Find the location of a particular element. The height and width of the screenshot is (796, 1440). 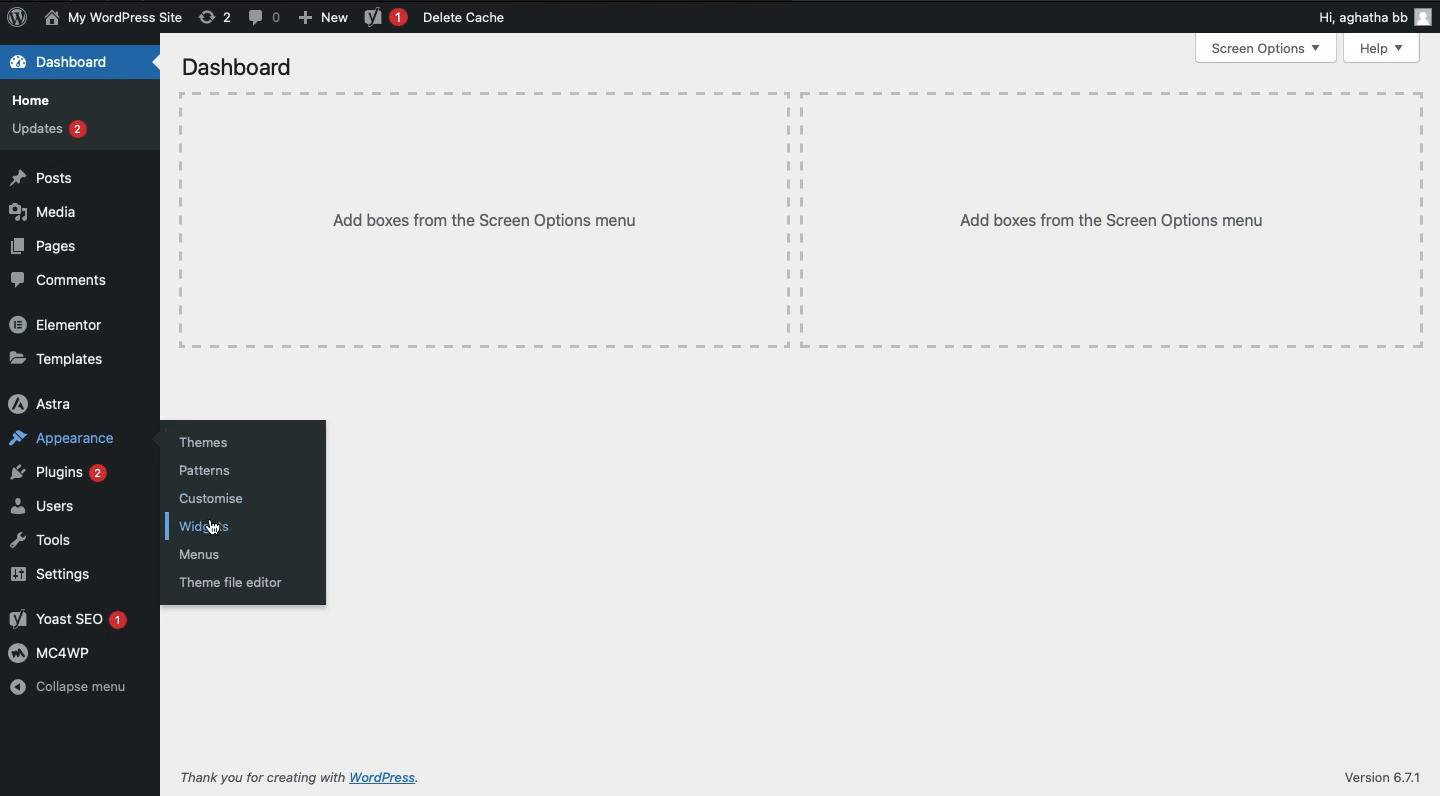

Elementor is located at coordinates (62, 324).